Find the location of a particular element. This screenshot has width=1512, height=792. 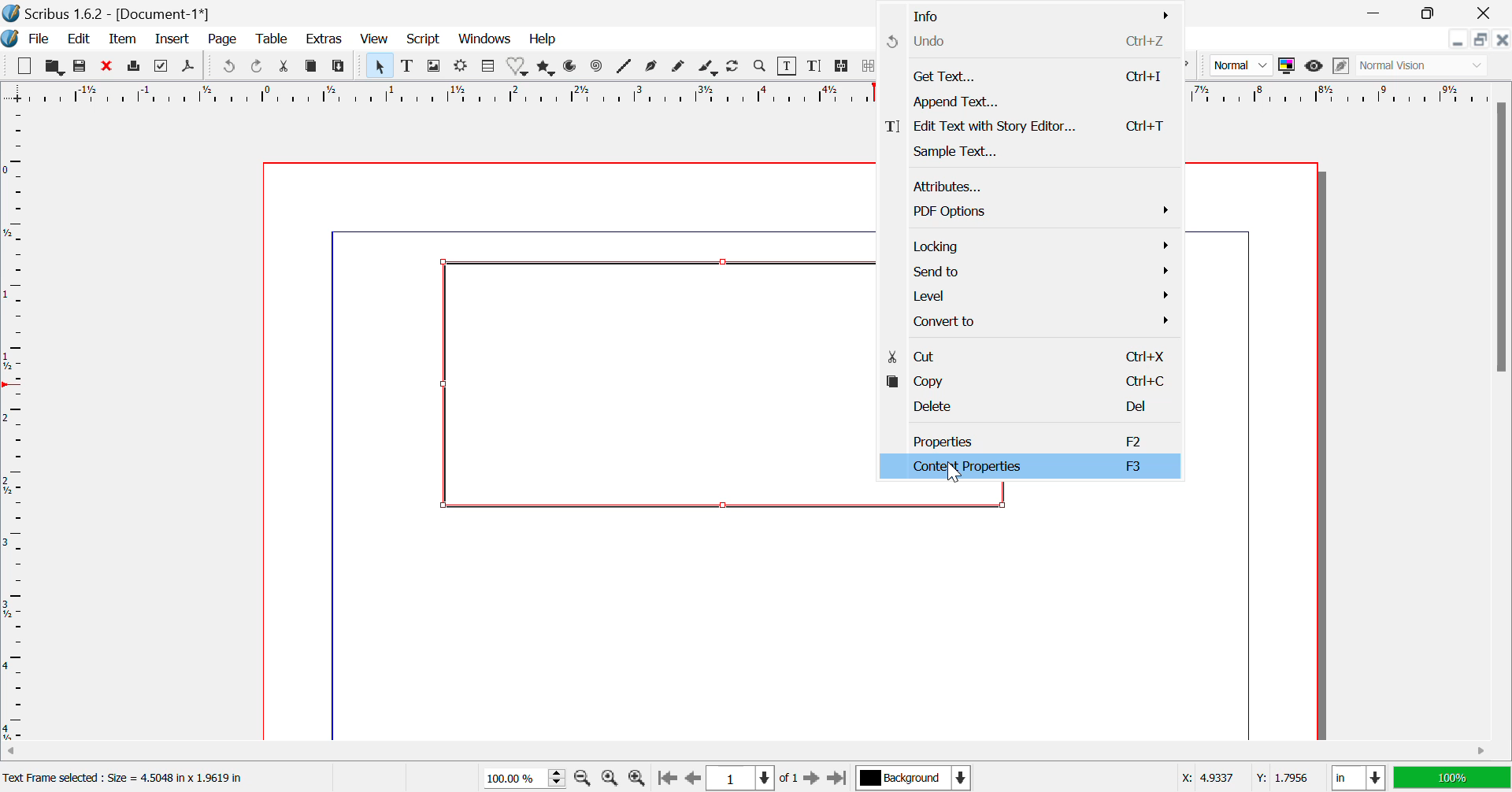

Convert to is located at coordinates (1032, 323).